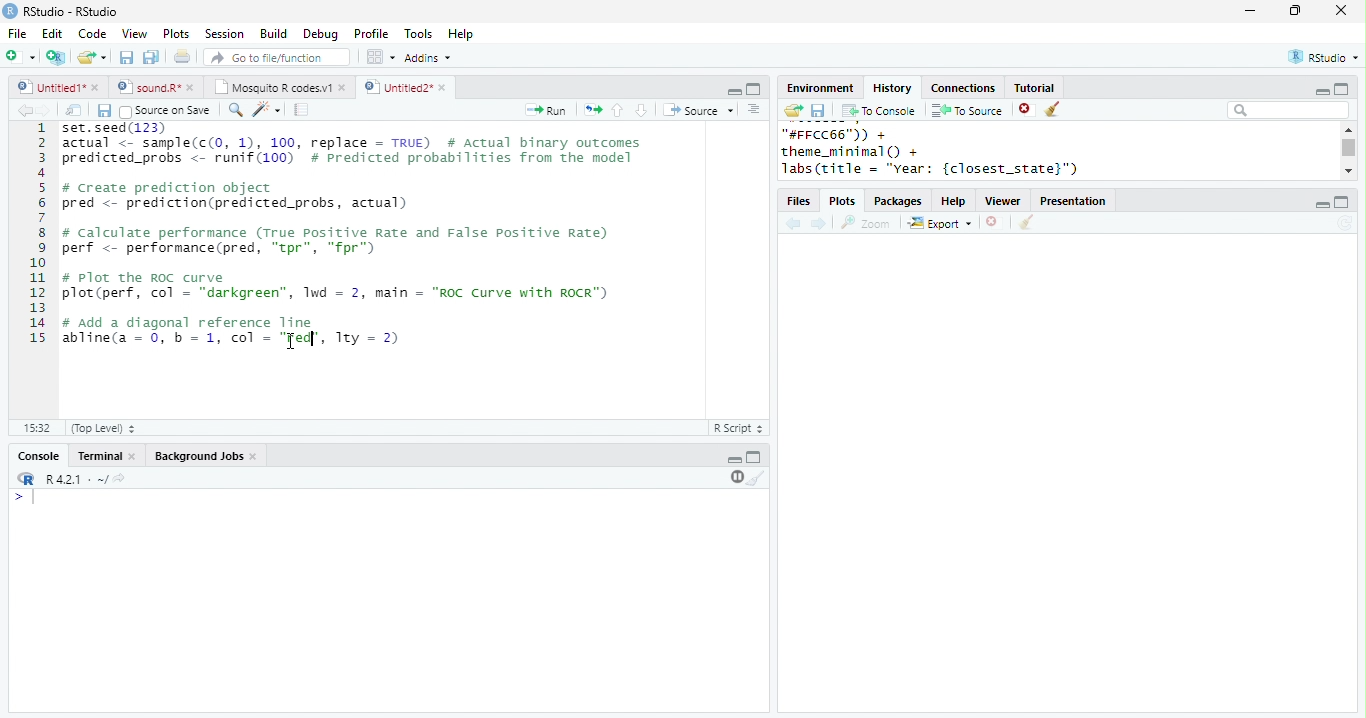 Image resolution: width=1366 pixels, height=718 pixels. I want to click on Addins, so click(428, 58).